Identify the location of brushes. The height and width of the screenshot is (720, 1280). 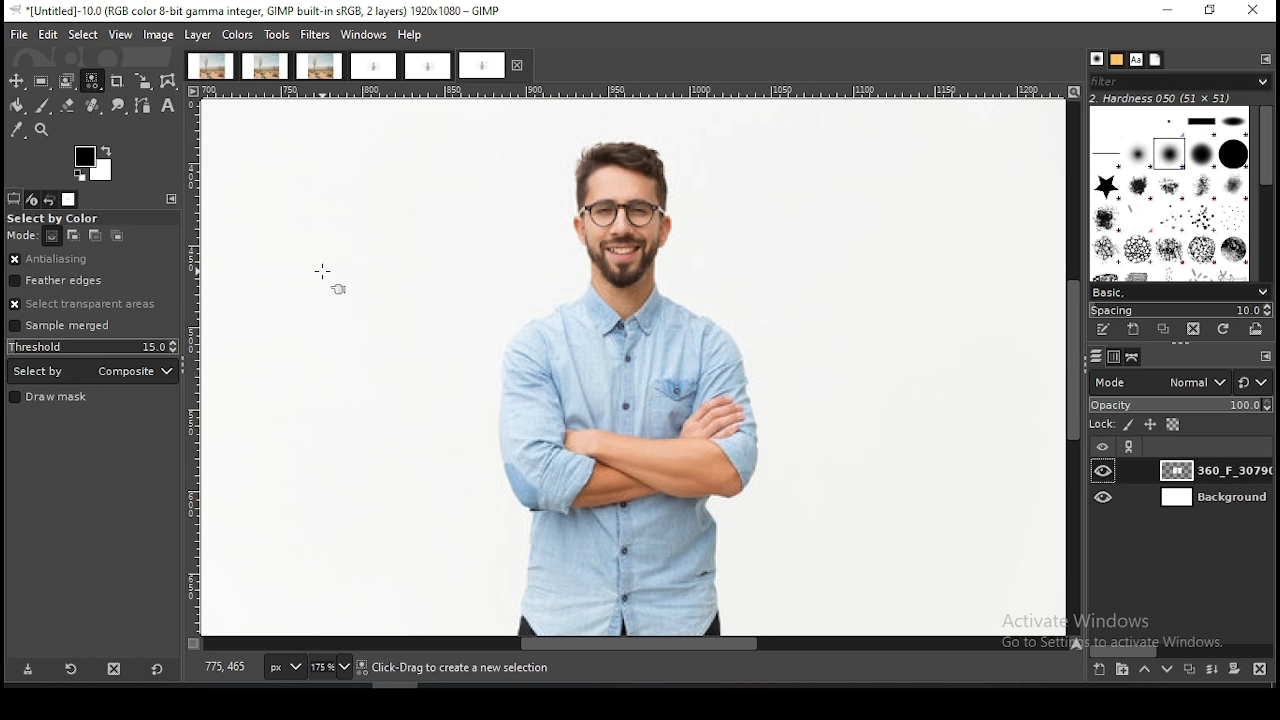
(1096, 59).